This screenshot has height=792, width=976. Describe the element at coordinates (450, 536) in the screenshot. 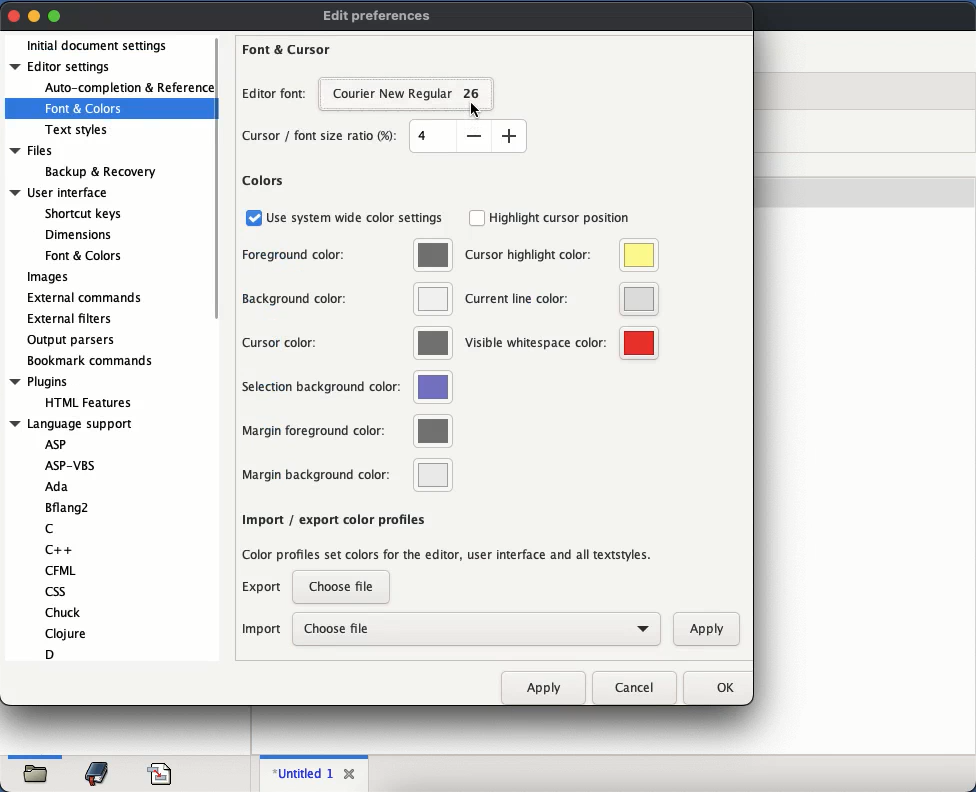

I see `import export color profiles` at that location.